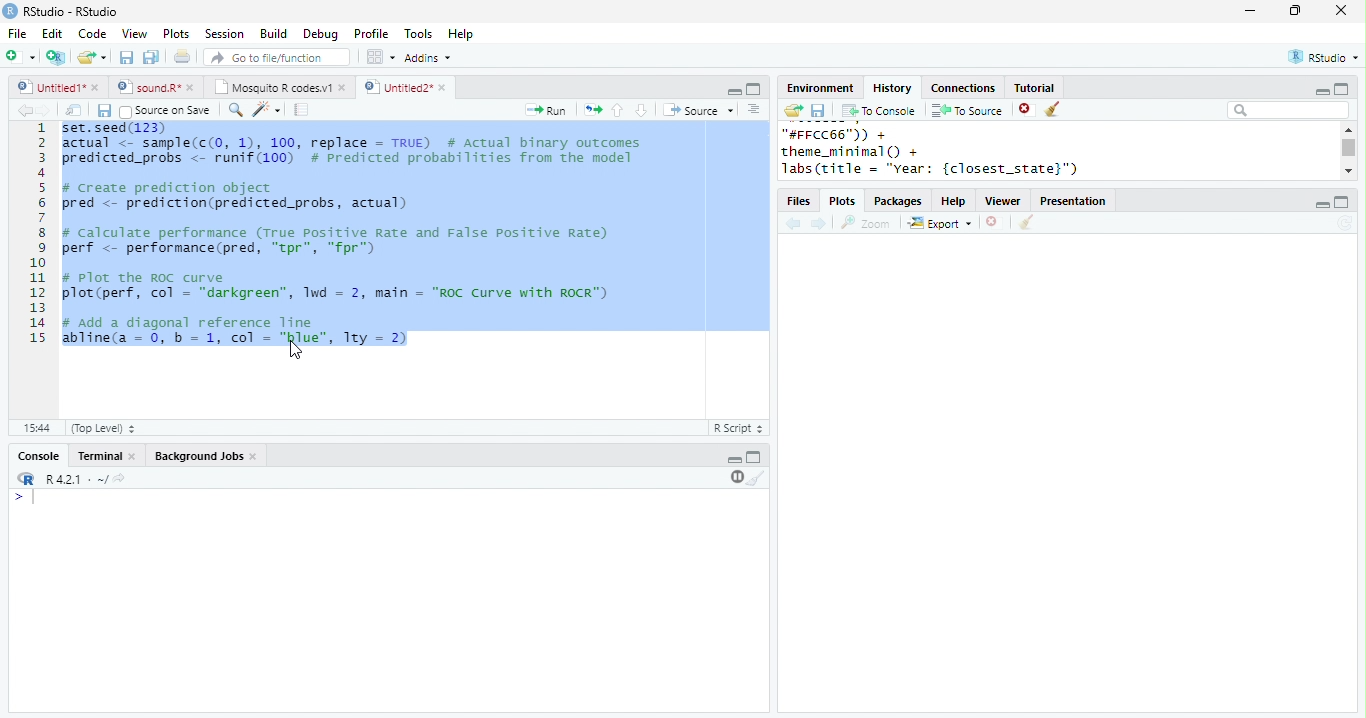 The width and height of the screenshot is (1366, 718). Describe the element at coordinates (898, 202) in the screenshot. I see `Packages` at that location.